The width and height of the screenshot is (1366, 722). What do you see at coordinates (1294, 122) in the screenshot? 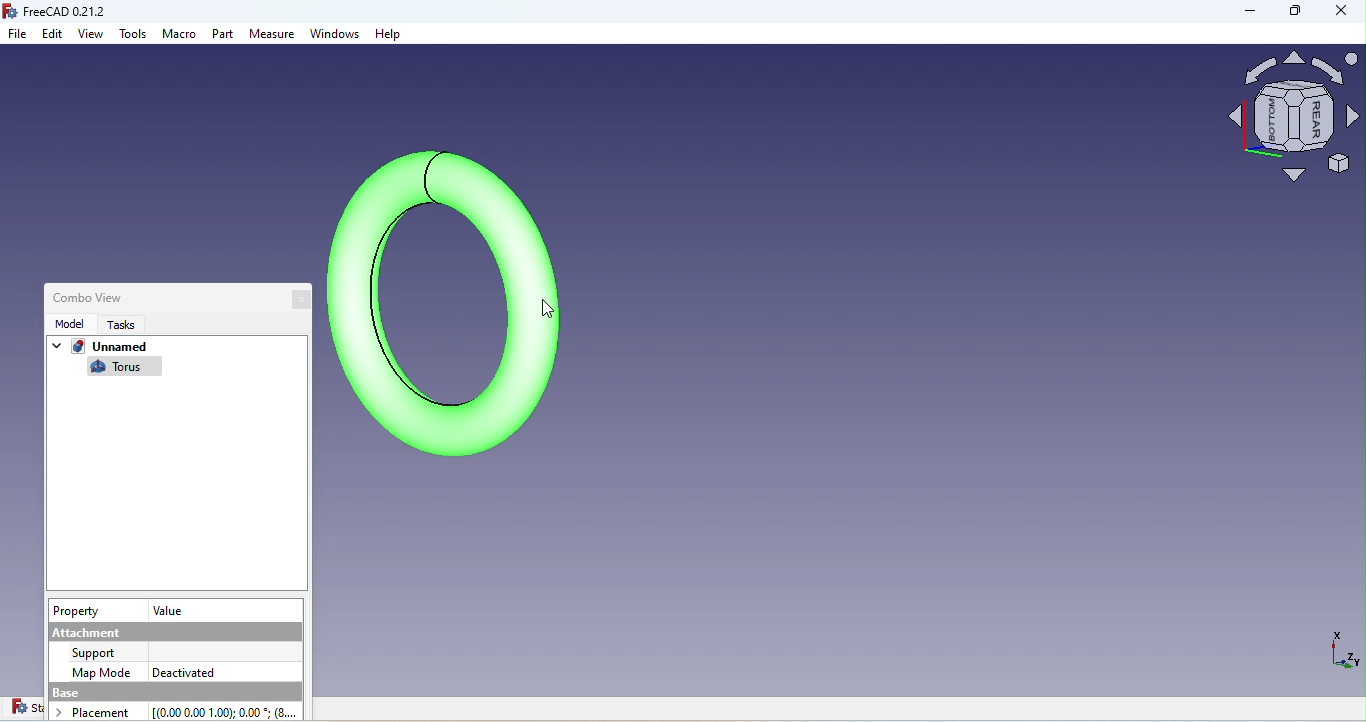
I see `Navigation square` at bounding box center [1294, 122].